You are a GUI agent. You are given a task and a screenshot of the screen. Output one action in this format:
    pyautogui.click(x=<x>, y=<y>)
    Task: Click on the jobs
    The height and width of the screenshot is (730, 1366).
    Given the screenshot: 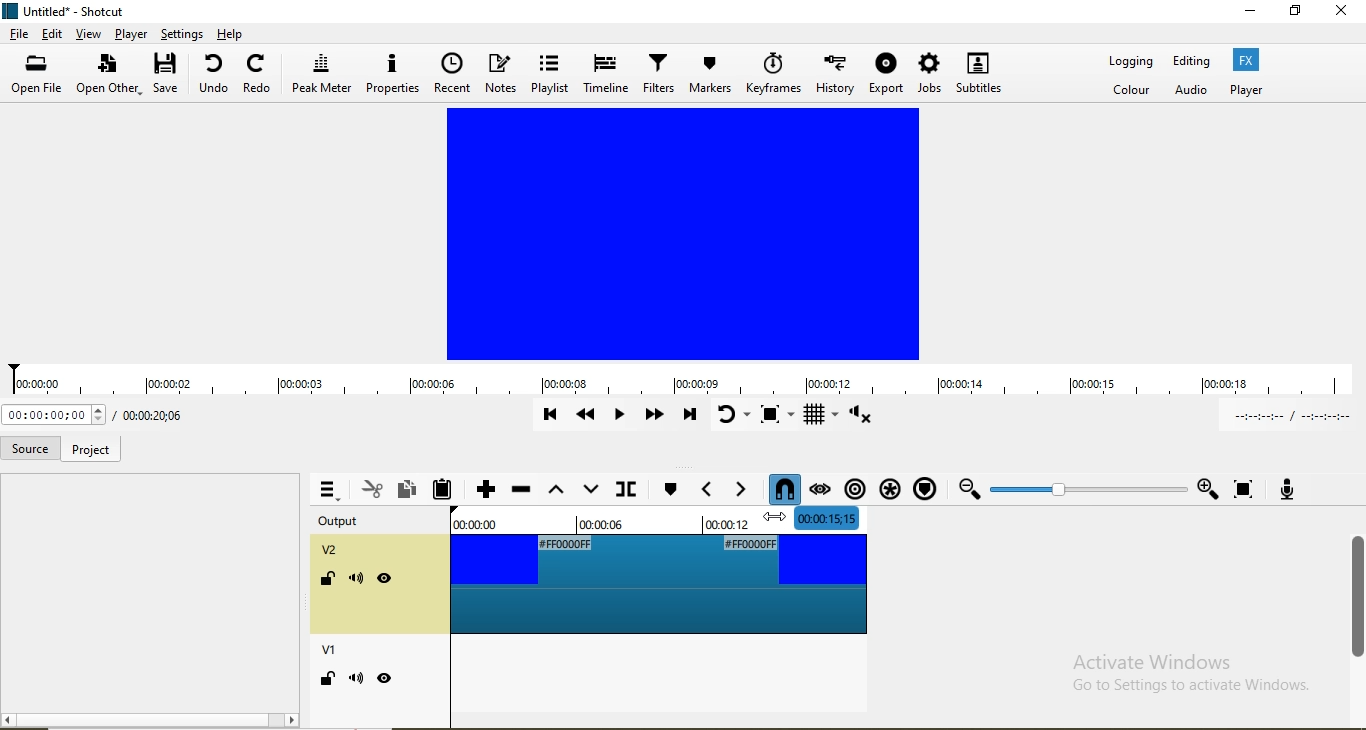 What is the action you would take?
    pyautogui.click(x=928, y=74)
    